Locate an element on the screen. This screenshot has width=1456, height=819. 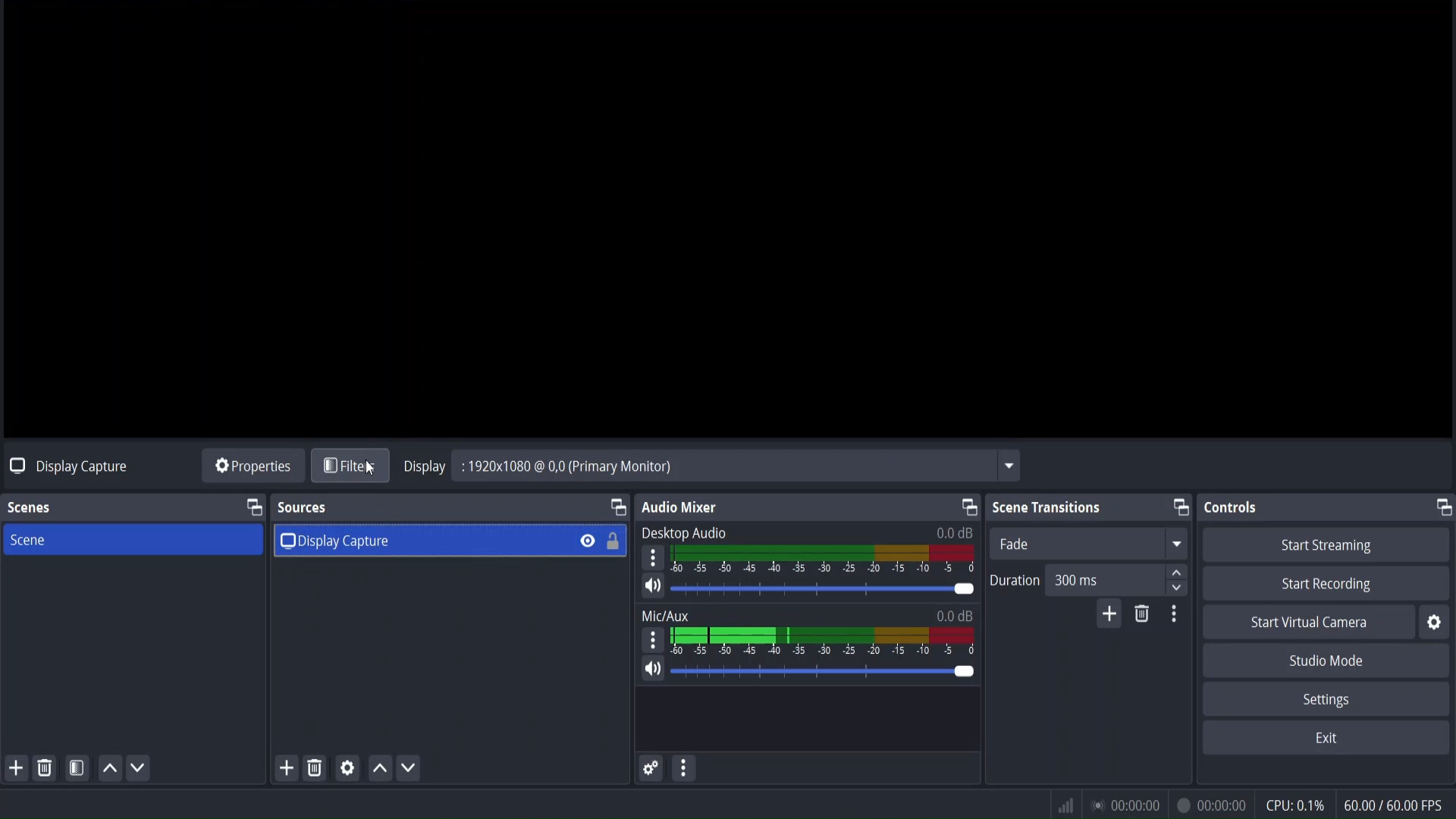
status is located at coordinates (1122, 802).